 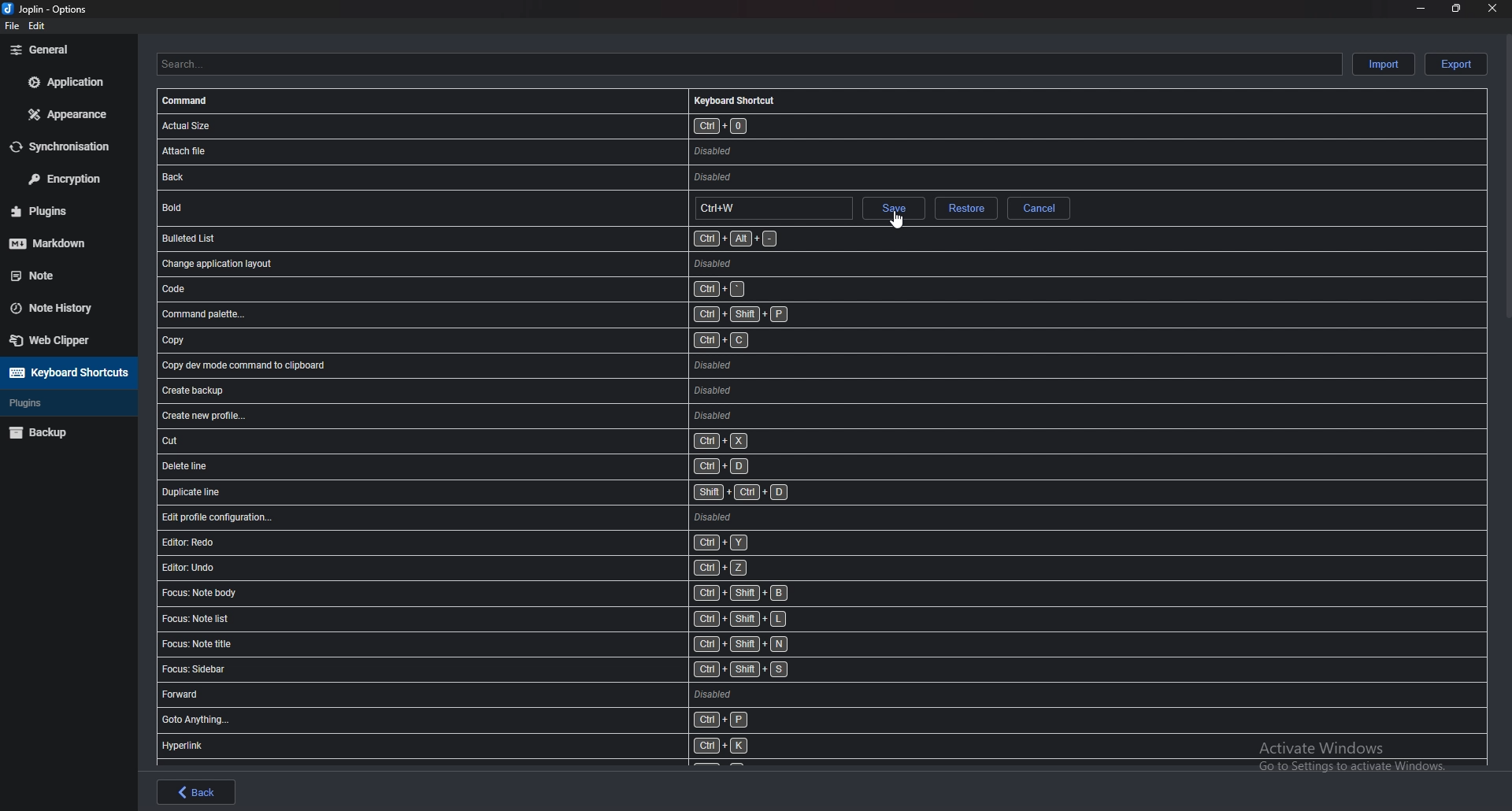 What do you see at coordinates (65, 179) in the screenshot?
I see `Encryption` at bounding box center [65, 179].